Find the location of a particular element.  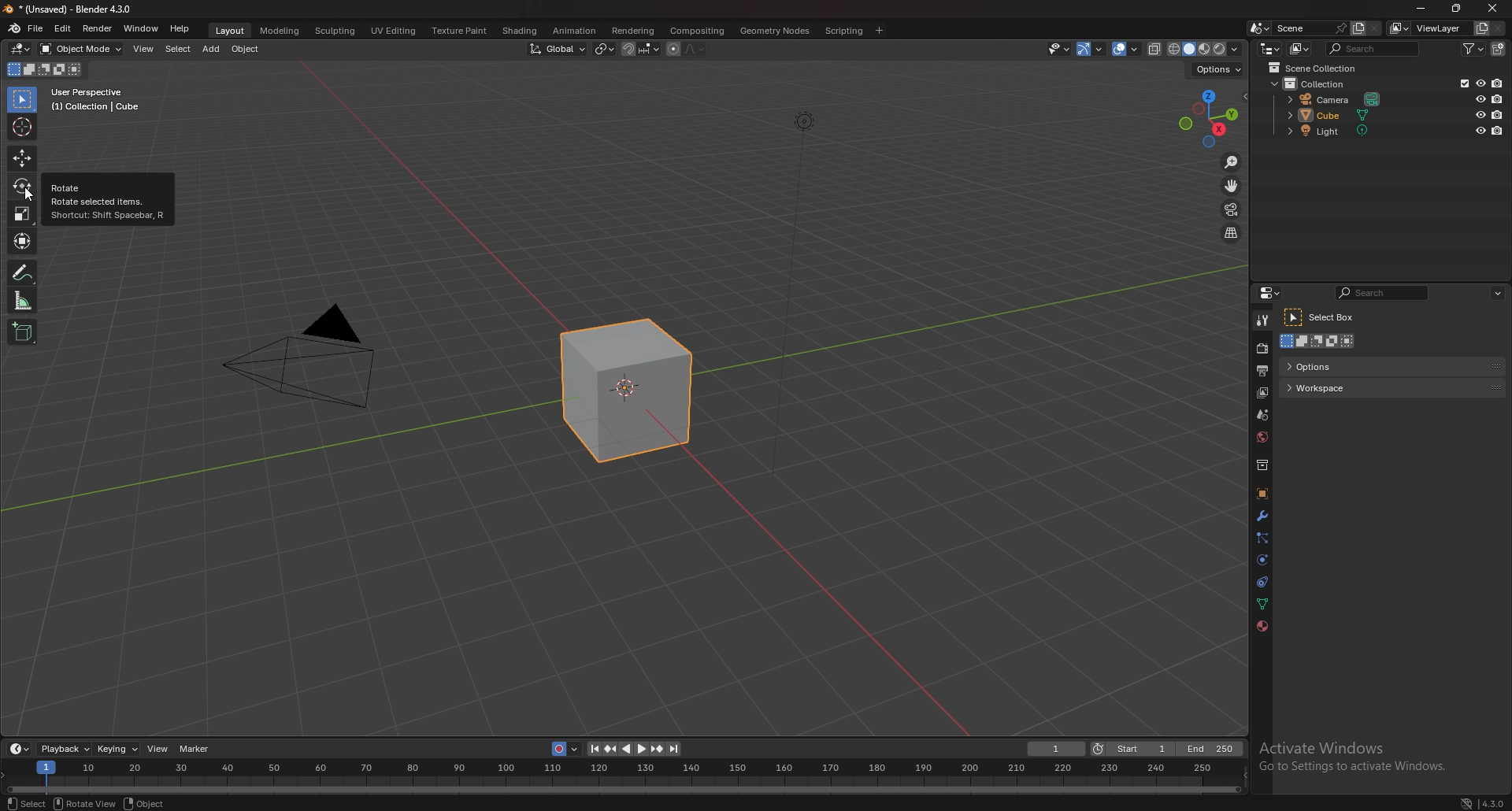

collection is located at coordinates (1262, 465).